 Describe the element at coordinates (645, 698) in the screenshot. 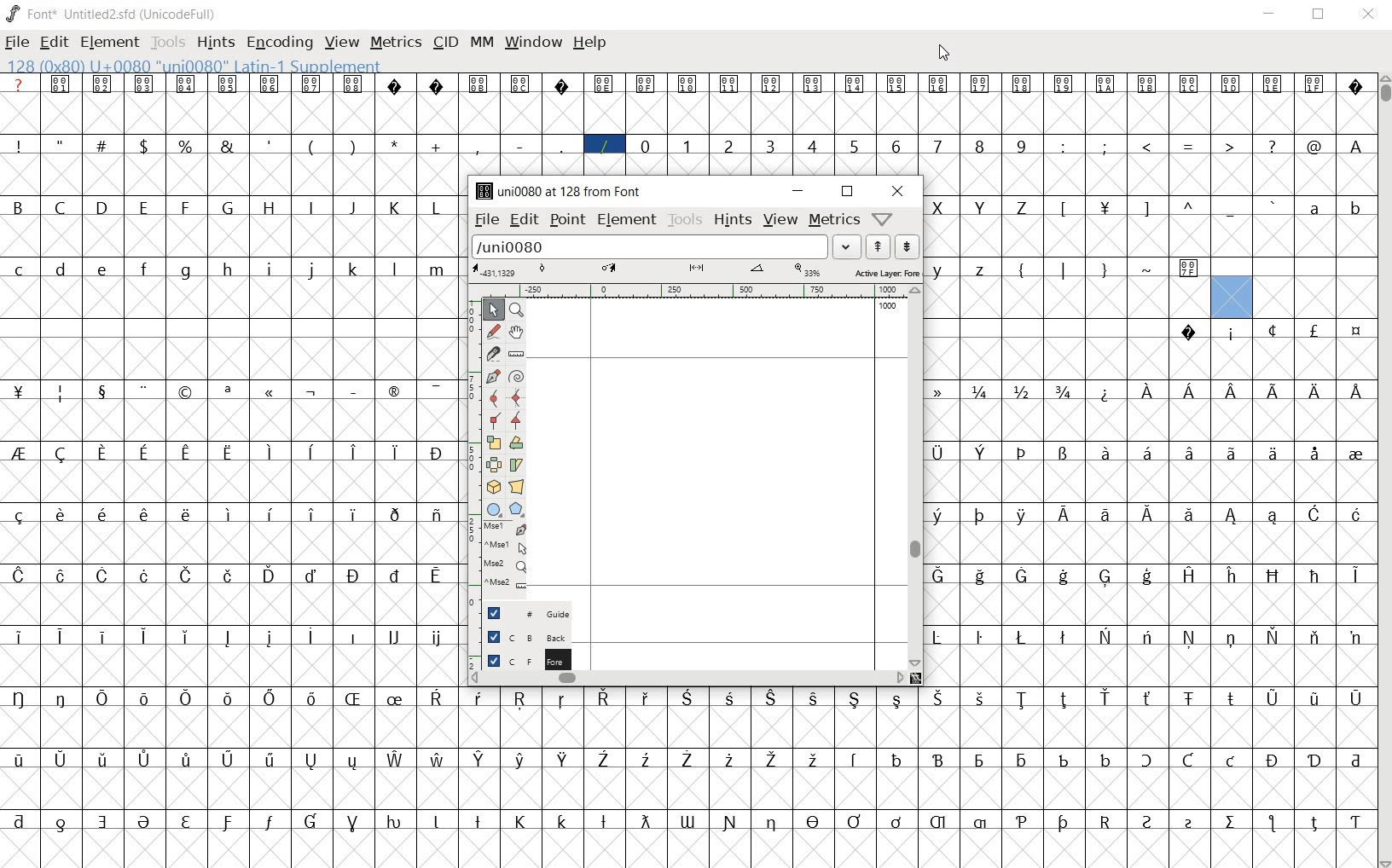

I see `glyph` at that location.